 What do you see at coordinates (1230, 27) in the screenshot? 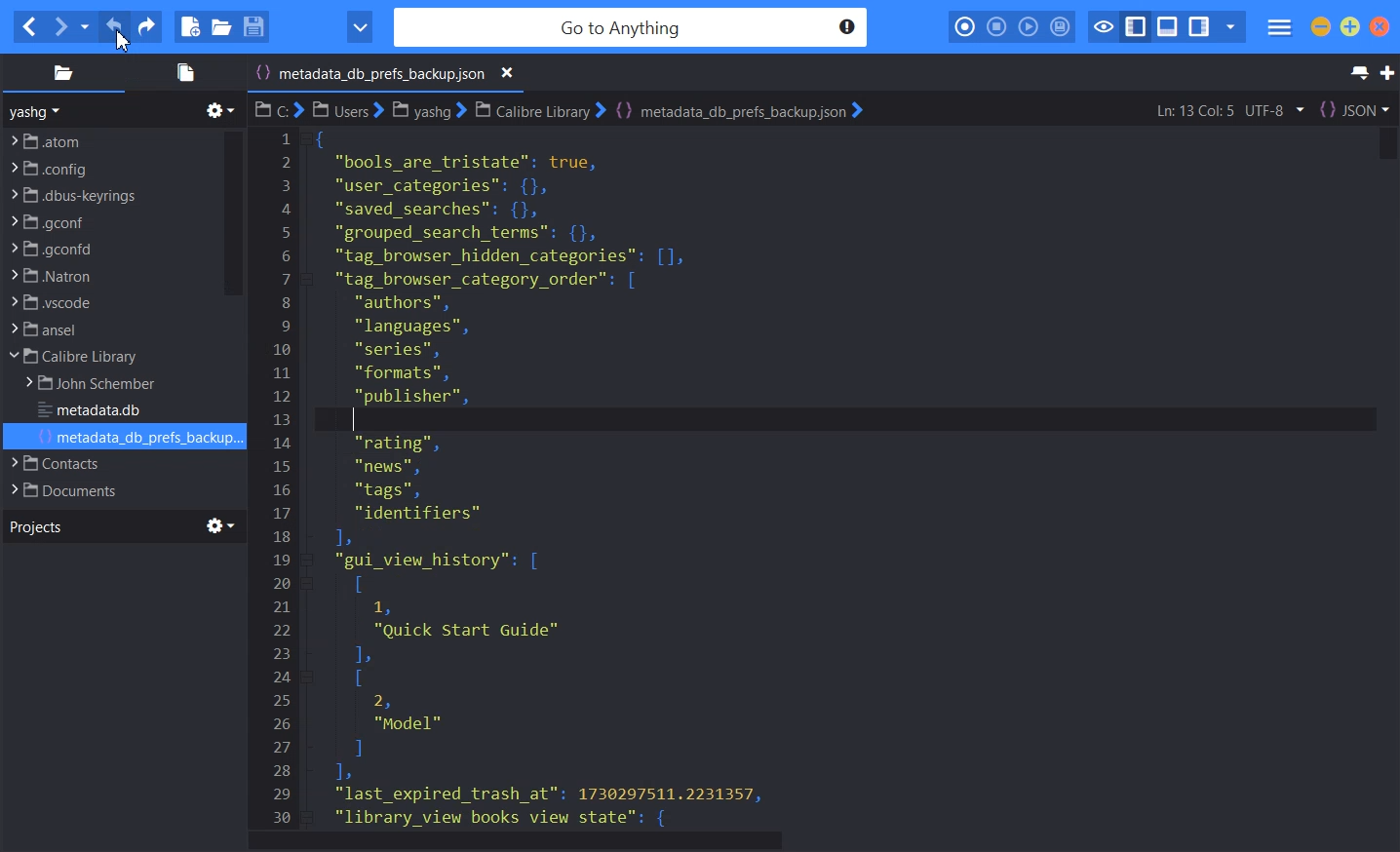
I see `Show specific Sidebar/ Tab` at bounding box center [1230, 27].